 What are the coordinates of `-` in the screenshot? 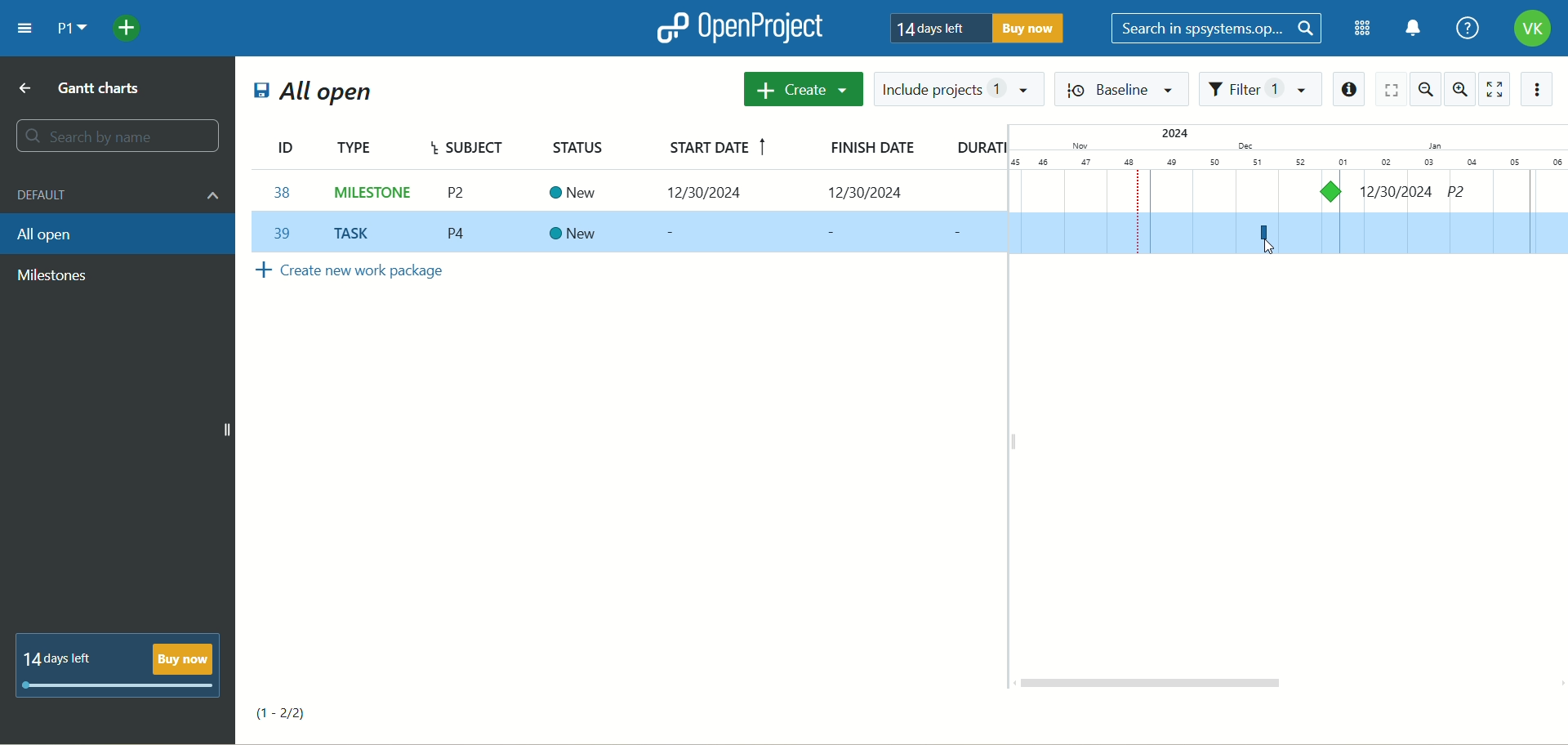 It's located at (966, 235).